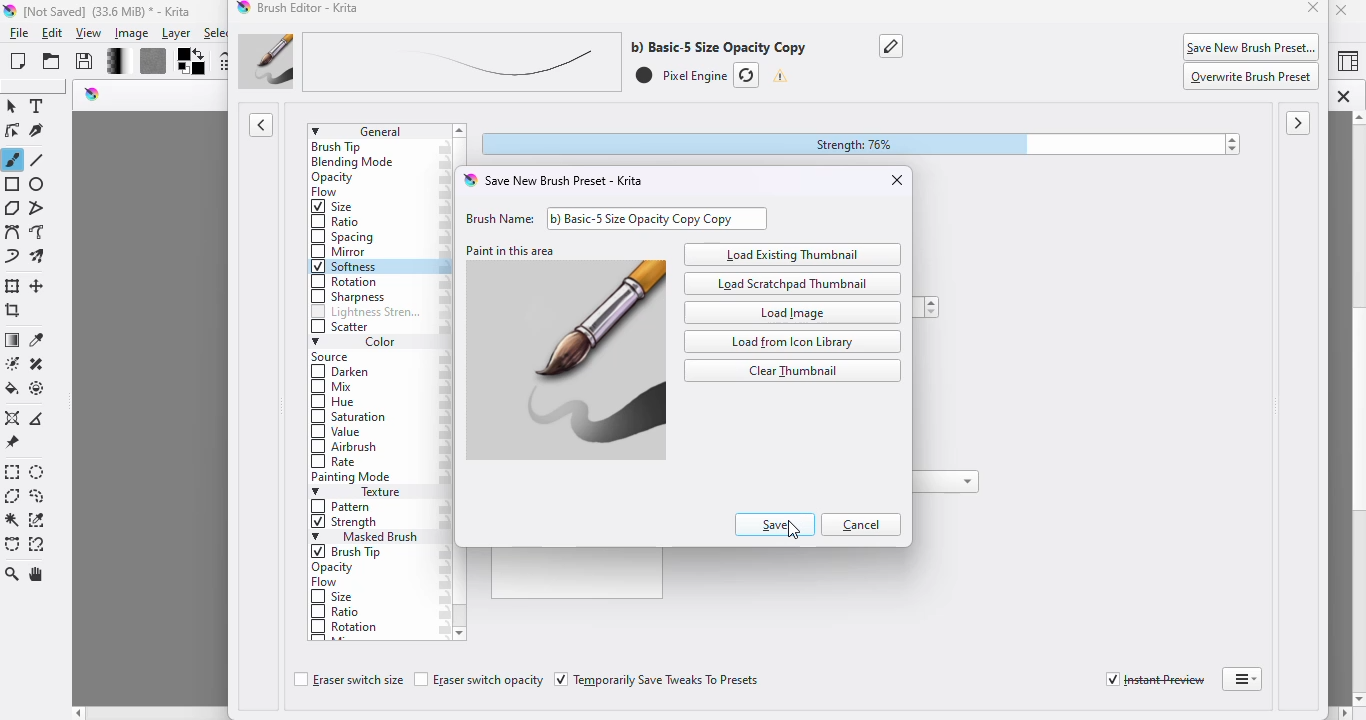  I want to click on instant preview, so click(1155, 680).